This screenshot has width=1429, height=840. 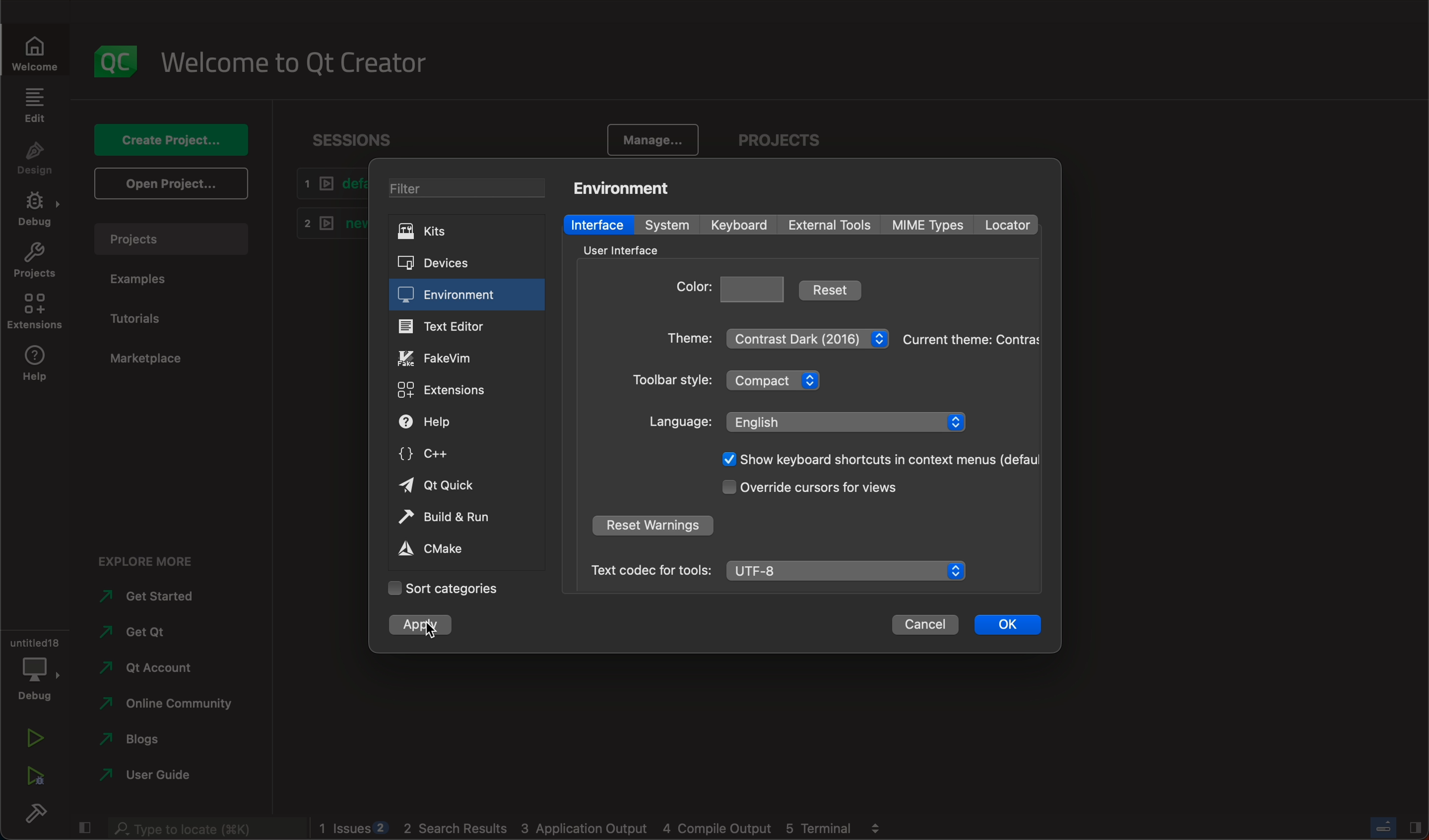 I want to click on close slide bar, so click(x=1398, y=826).